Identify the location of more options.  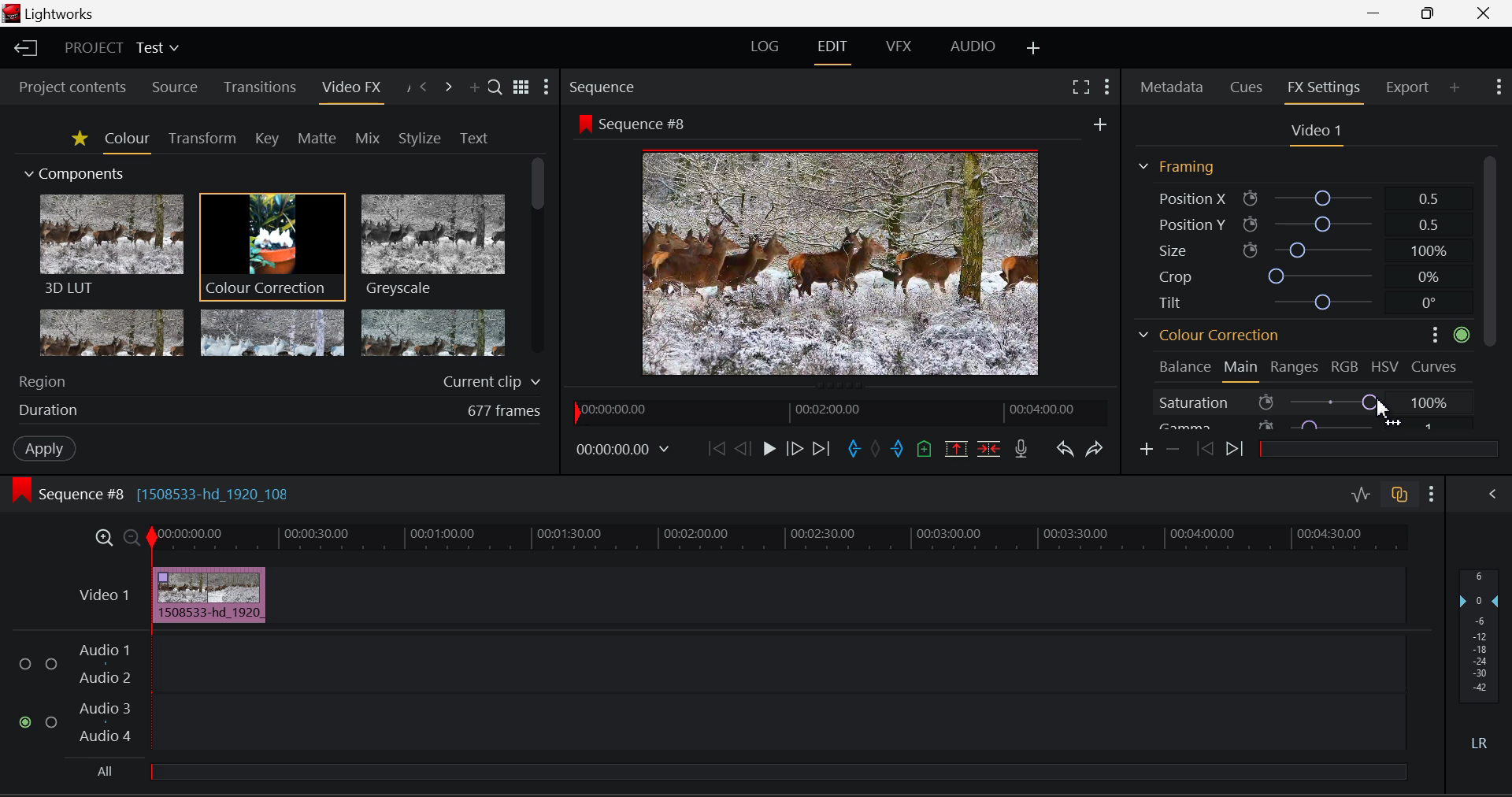
(1429, 334).